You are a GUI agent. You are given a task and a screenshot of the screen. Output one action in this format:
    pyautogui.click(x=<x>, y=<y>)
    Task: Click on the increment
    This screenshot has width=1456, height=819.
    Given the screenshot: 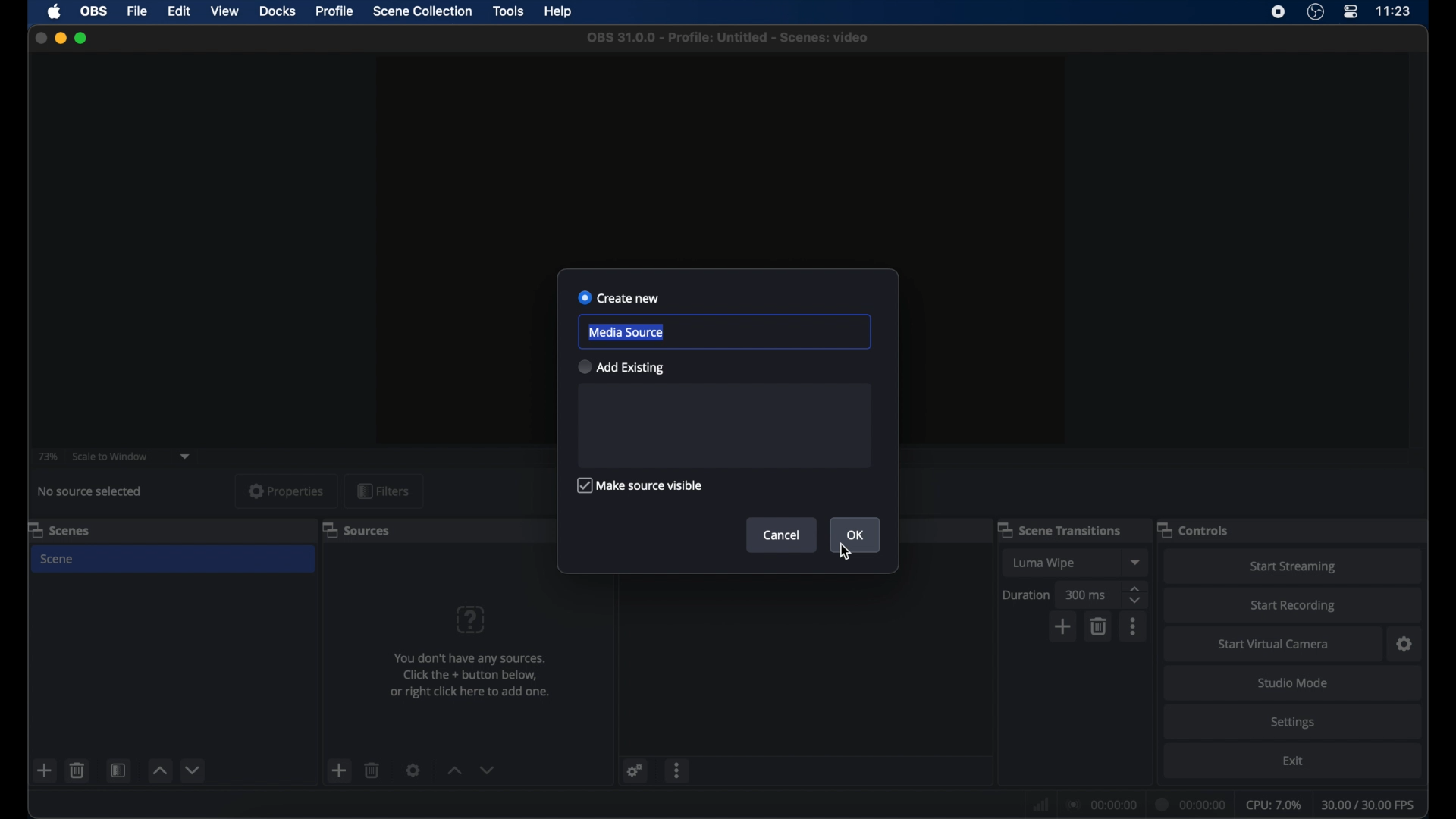 What is the action you would take?
    pyautogui.click(x=159, y=771)
    